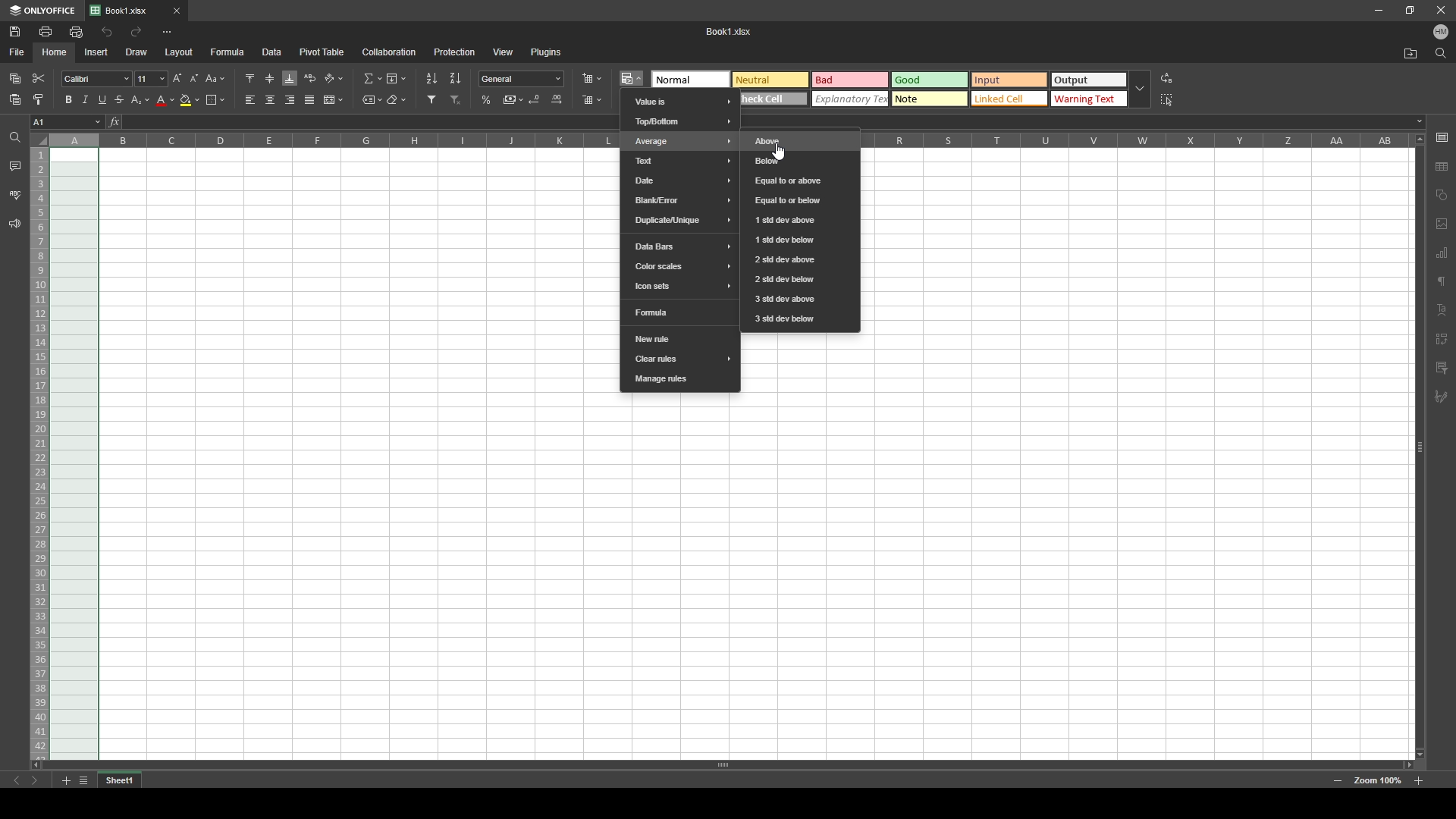 The width and height of the screenshot is (1456, 819). I want to click on clear, so click(397, 100).